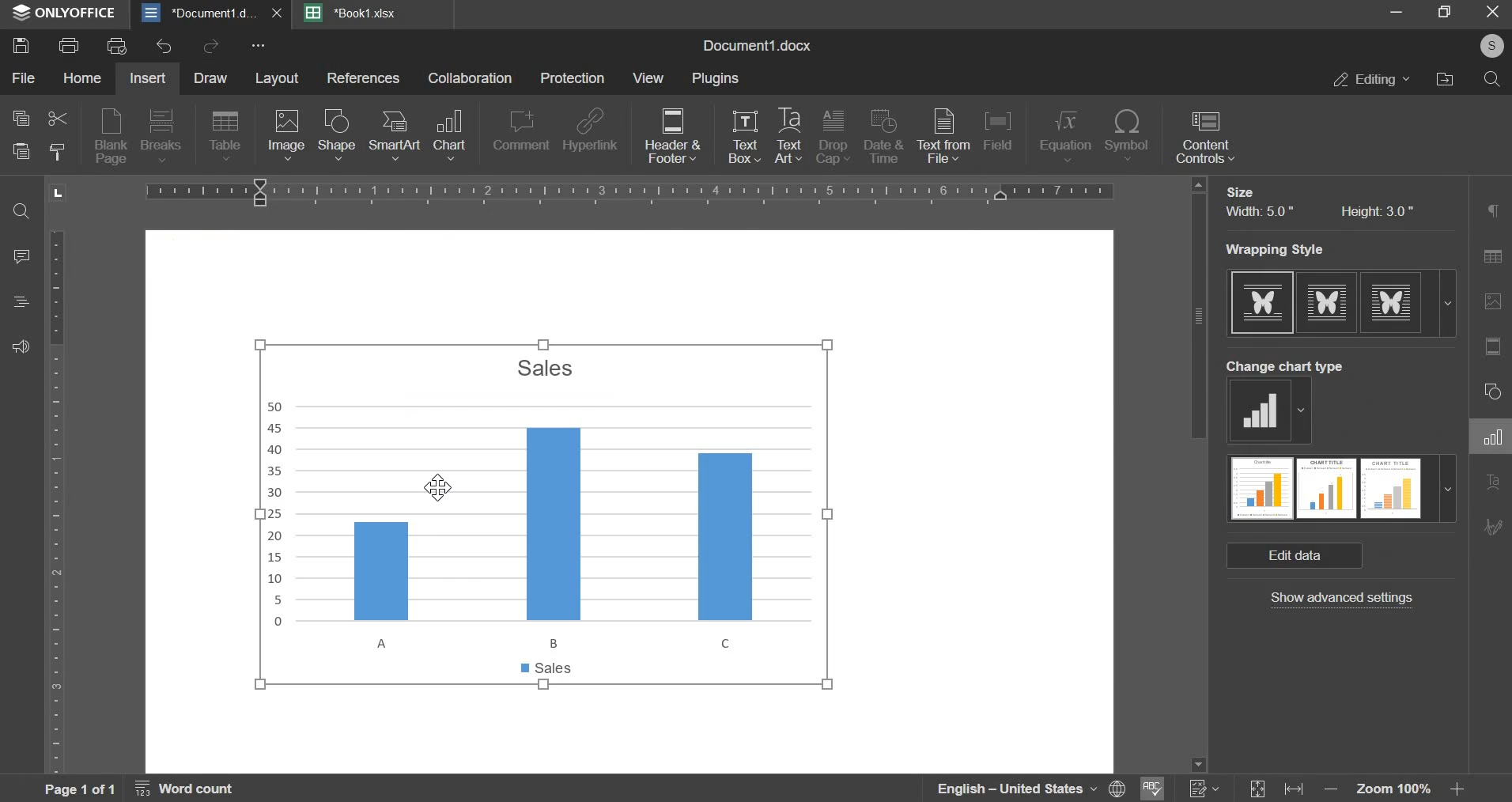  Describe the element at coordinates (1492, 346) in the screenshot. I see `Image Tool` at that location.